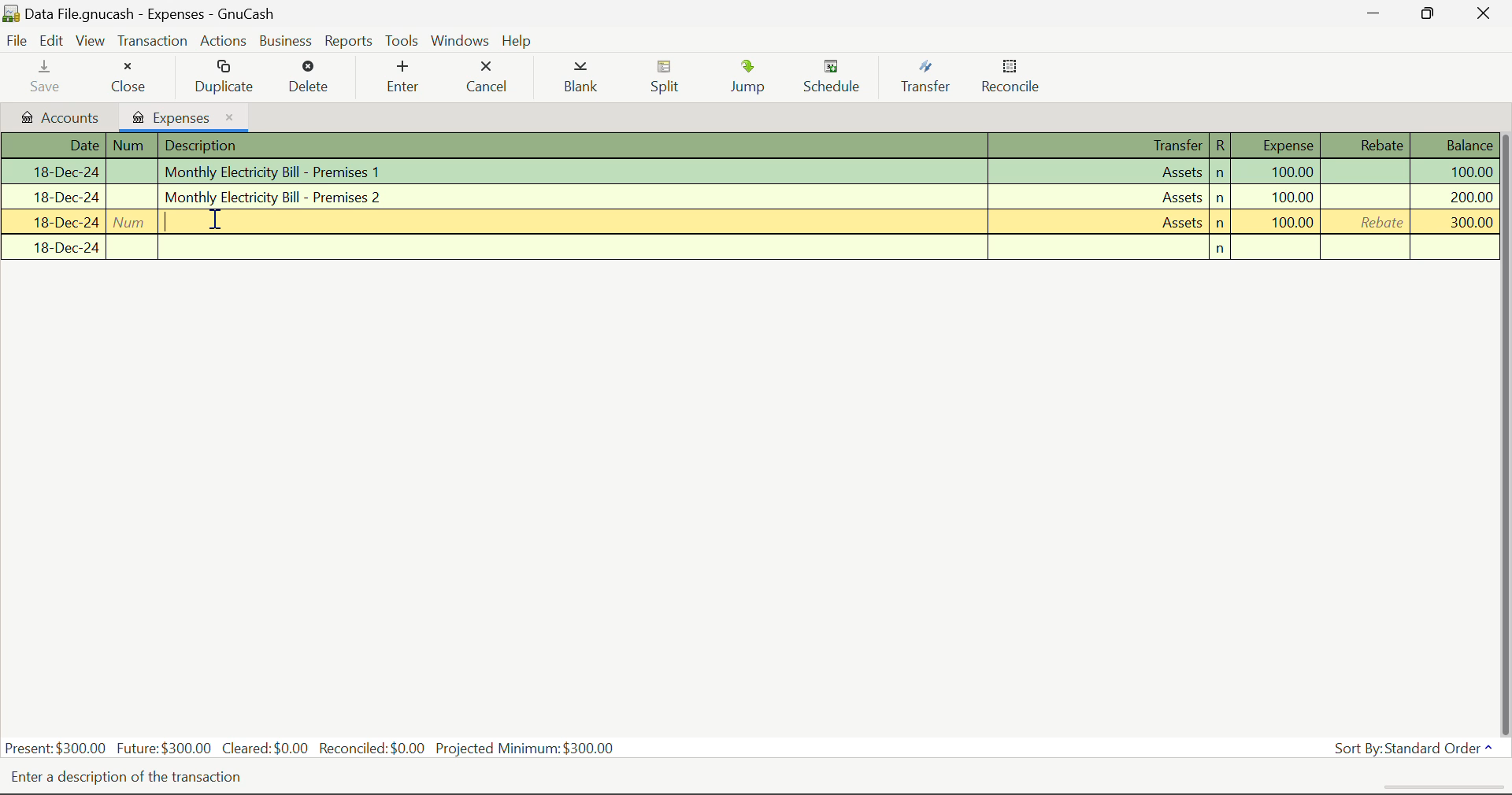  Describe the element at coordinates (755, 172) in the screenshot. I see `Transaction 1` at that location.